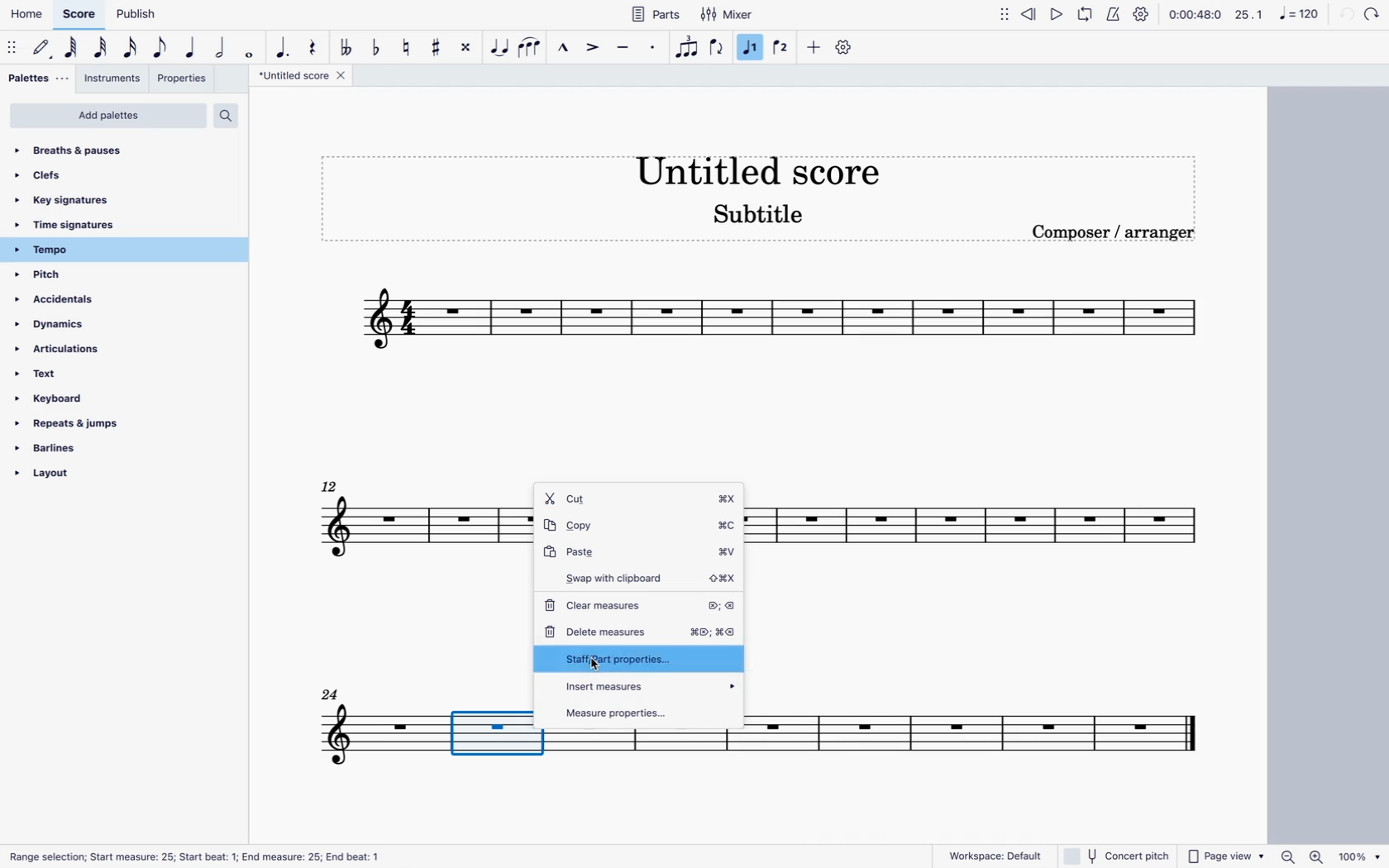 This screenshot has height=868, width=1389. I want to click on default, so click(41, 49).